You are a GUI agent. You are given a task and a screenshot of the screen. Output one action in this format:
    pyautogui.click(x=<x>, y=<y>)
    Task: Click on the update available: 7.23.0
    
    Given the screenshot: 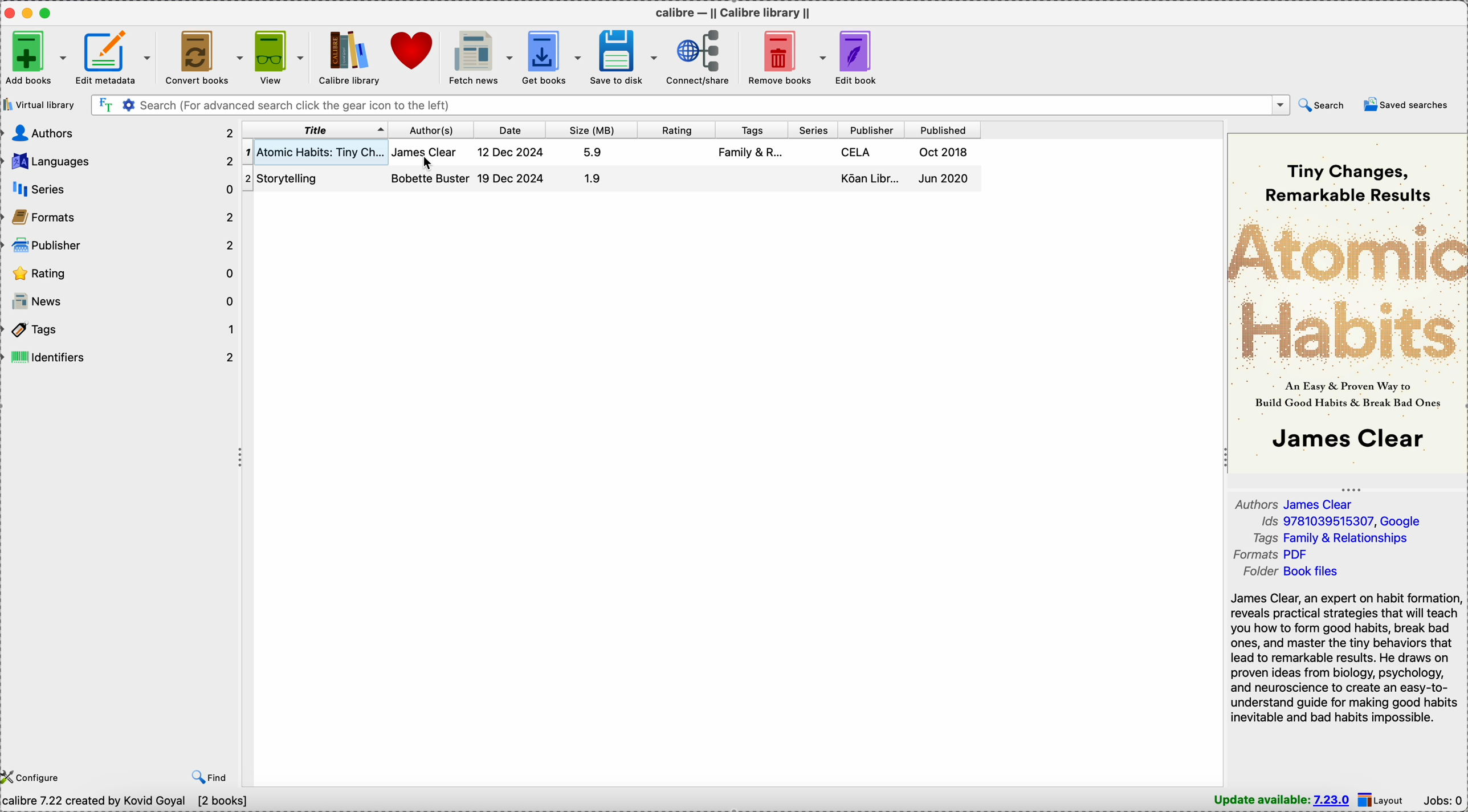 What is the action you would take?
    pyautogui.click(x=1283, y=801)
    